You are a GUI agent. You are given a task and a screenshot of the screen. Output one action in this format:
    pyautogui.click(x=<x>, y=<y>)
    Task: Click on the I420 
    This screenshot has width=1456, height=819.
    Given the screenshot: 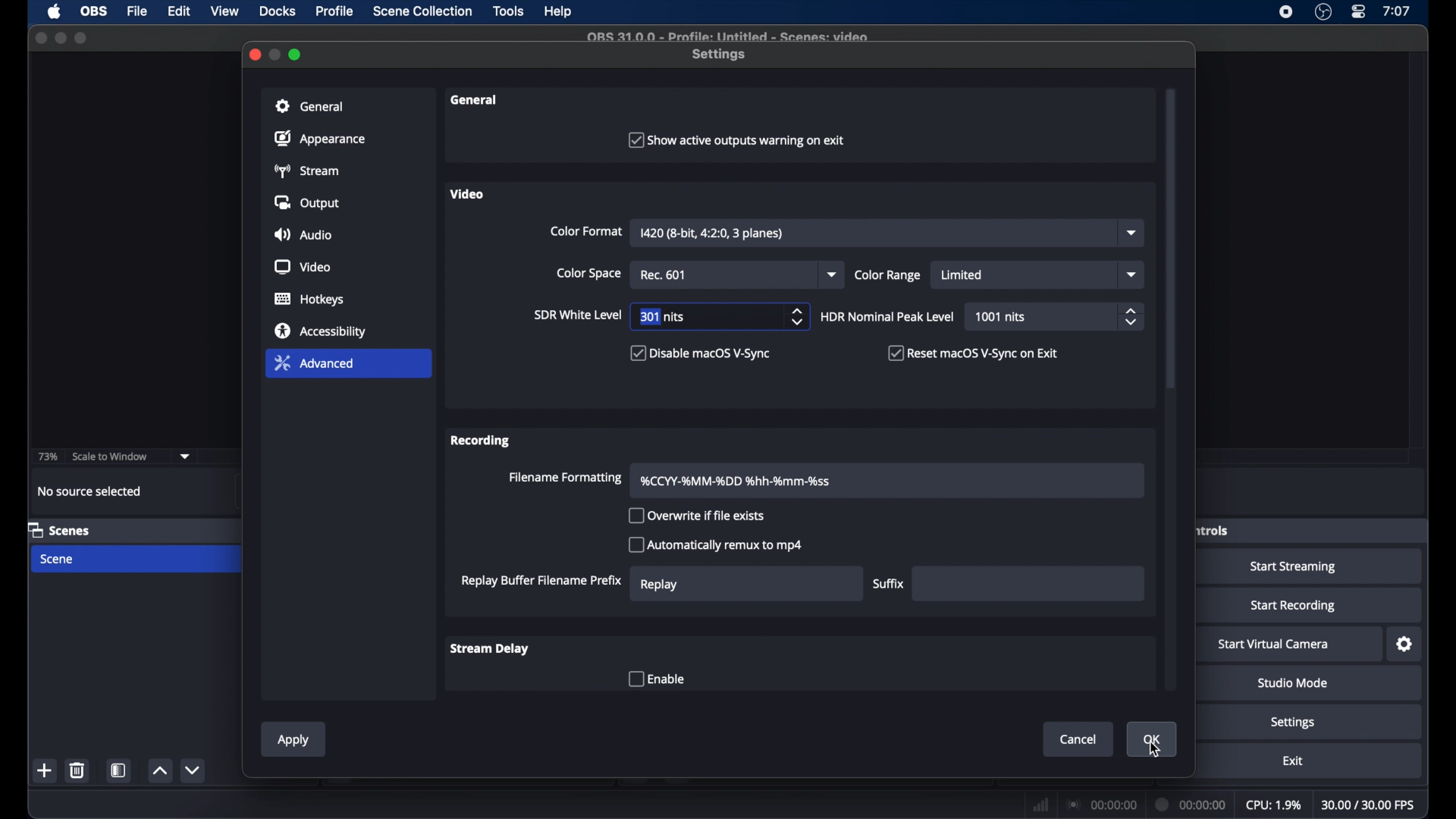 What is the action you would take?
    pyautogui.click(x=713, y=234)
    